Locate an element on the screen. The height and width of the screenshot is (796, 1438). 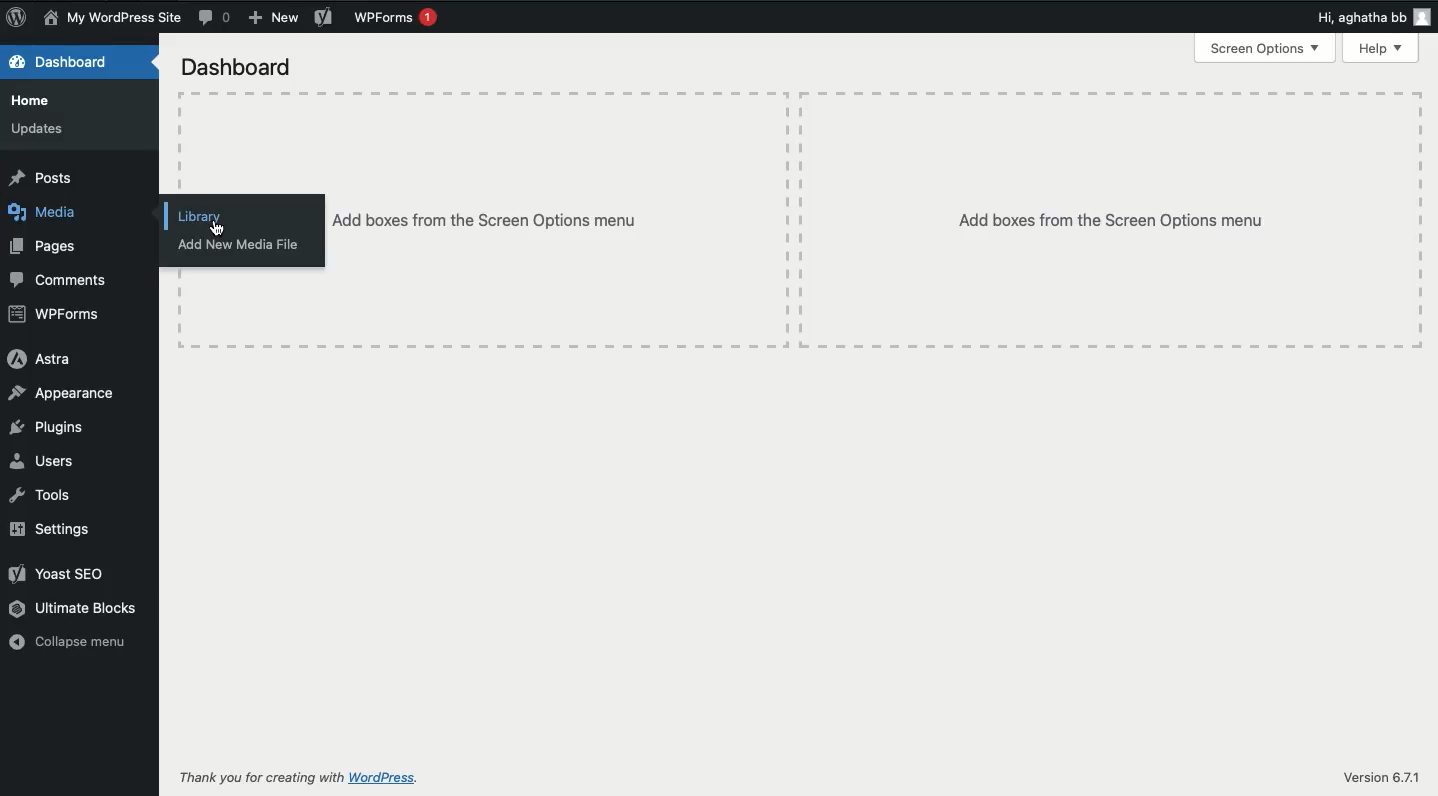
Media is located at coordinates (49, 213).